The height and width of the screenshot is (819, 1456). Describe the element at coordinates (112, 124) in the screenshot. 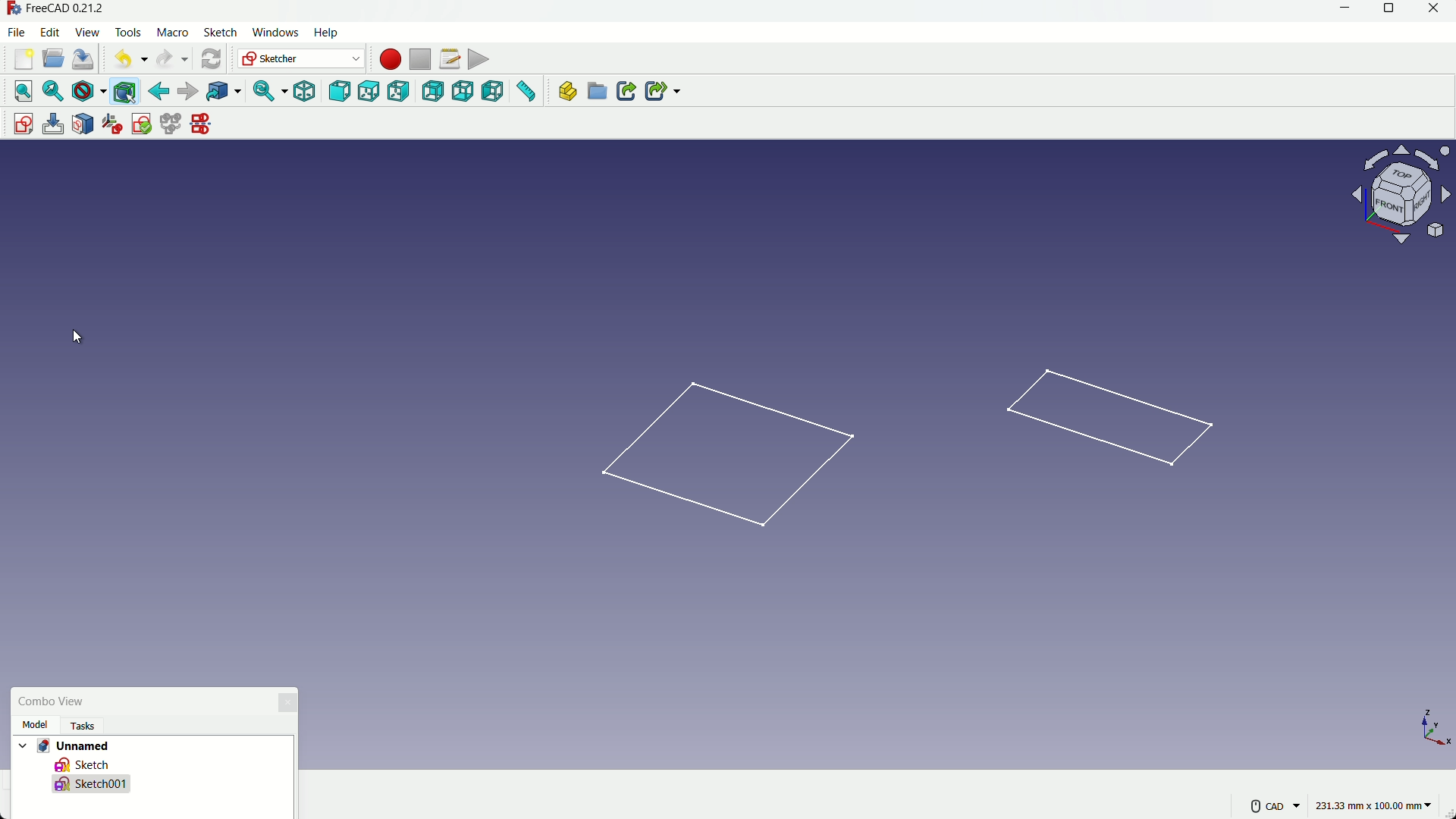

I see `reorient sketches` at that location.